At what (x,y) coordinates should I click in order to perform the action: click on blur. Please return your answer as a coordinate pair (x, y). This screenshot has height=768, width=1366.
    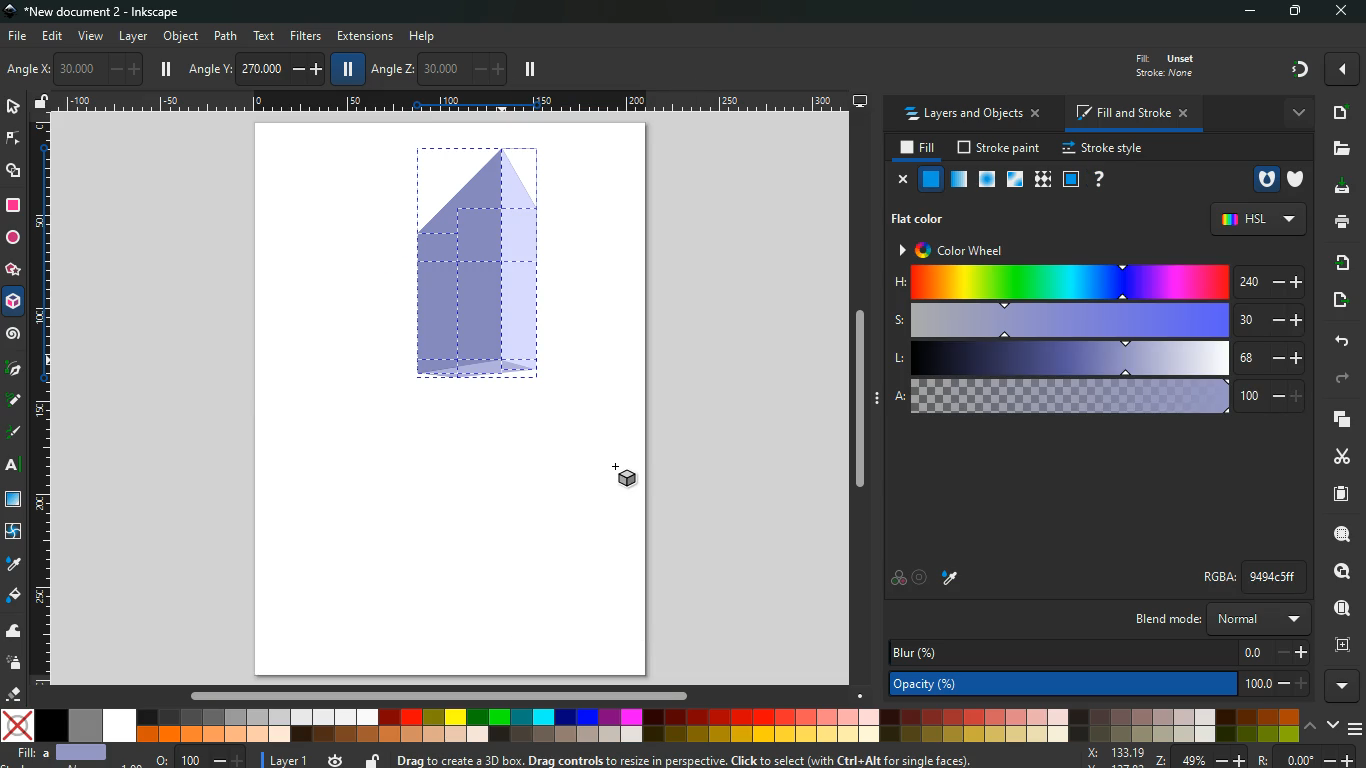
    Looking at the image, I should click on (1101, 651).